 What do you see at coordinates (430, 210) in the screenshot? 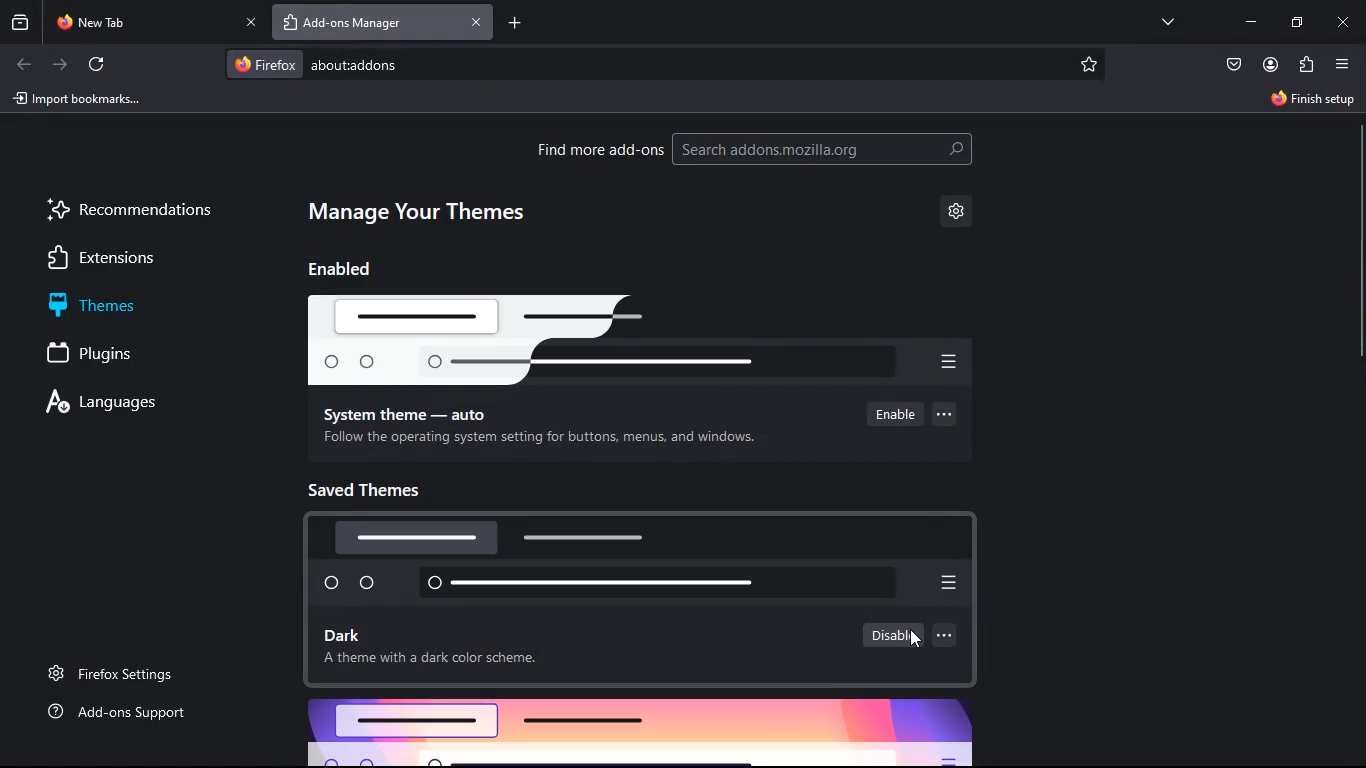
I see `manage your themes` at bounding box center [430, 210].